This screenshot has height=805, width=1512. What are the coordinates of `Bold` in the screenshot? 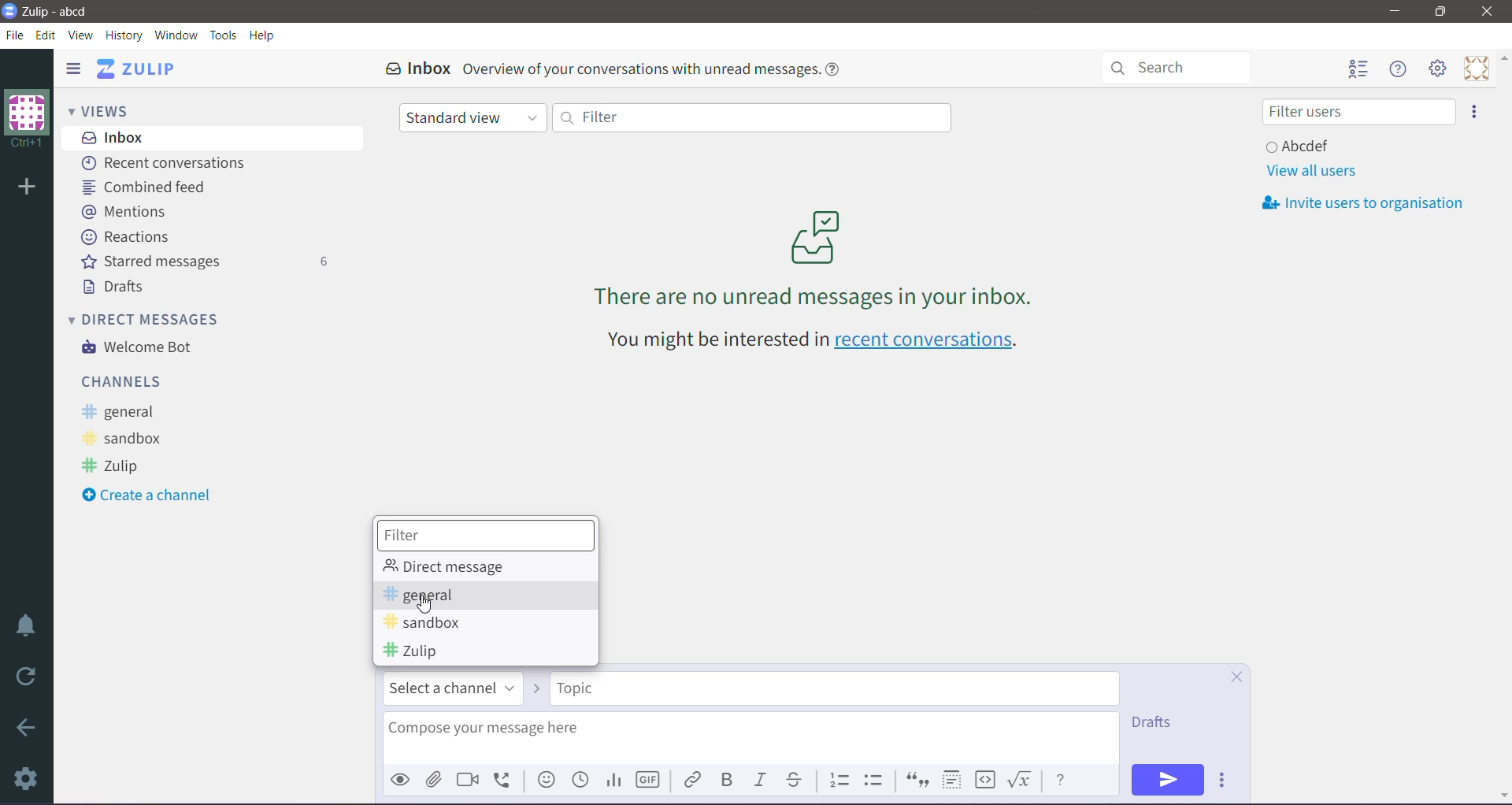 It's located at (726, 780).